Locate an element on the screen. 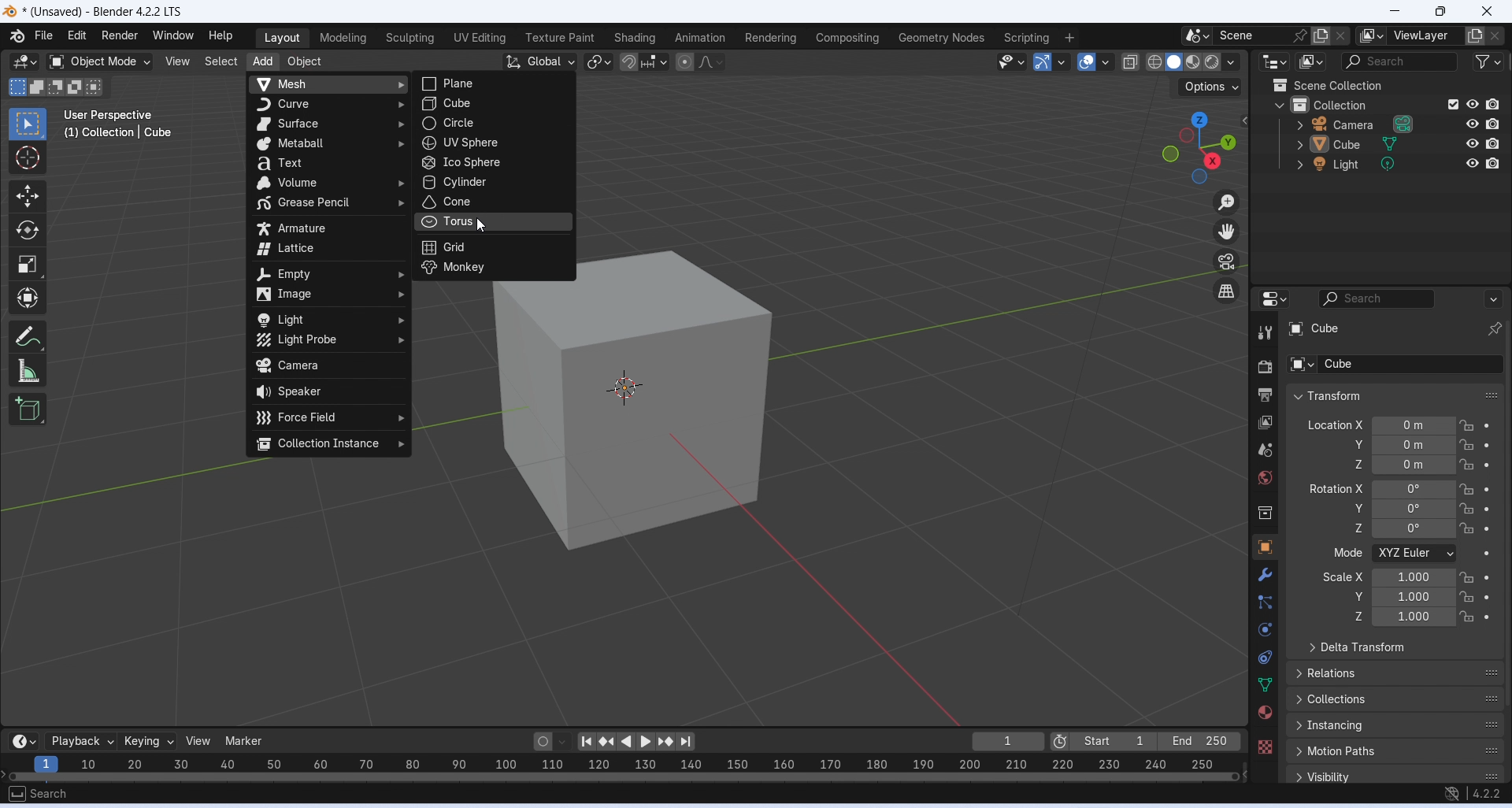 This screenshot has width=1512, height=808. Viewport shading is located at coordinates (1184, 61).